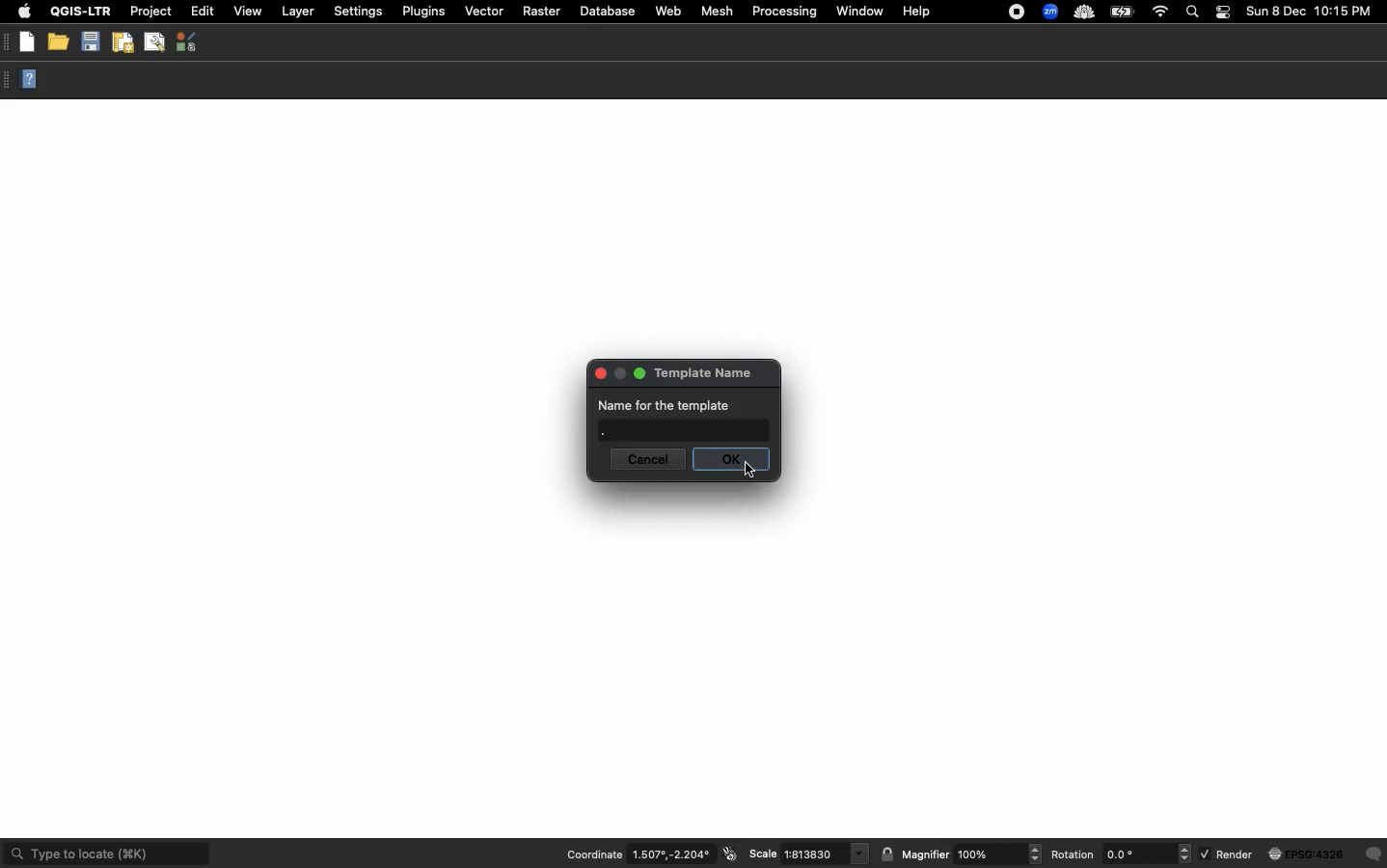  What do you see at coordinates (610, 10) in the screenshot?
I see `Database` at bounding box center [610, 10].